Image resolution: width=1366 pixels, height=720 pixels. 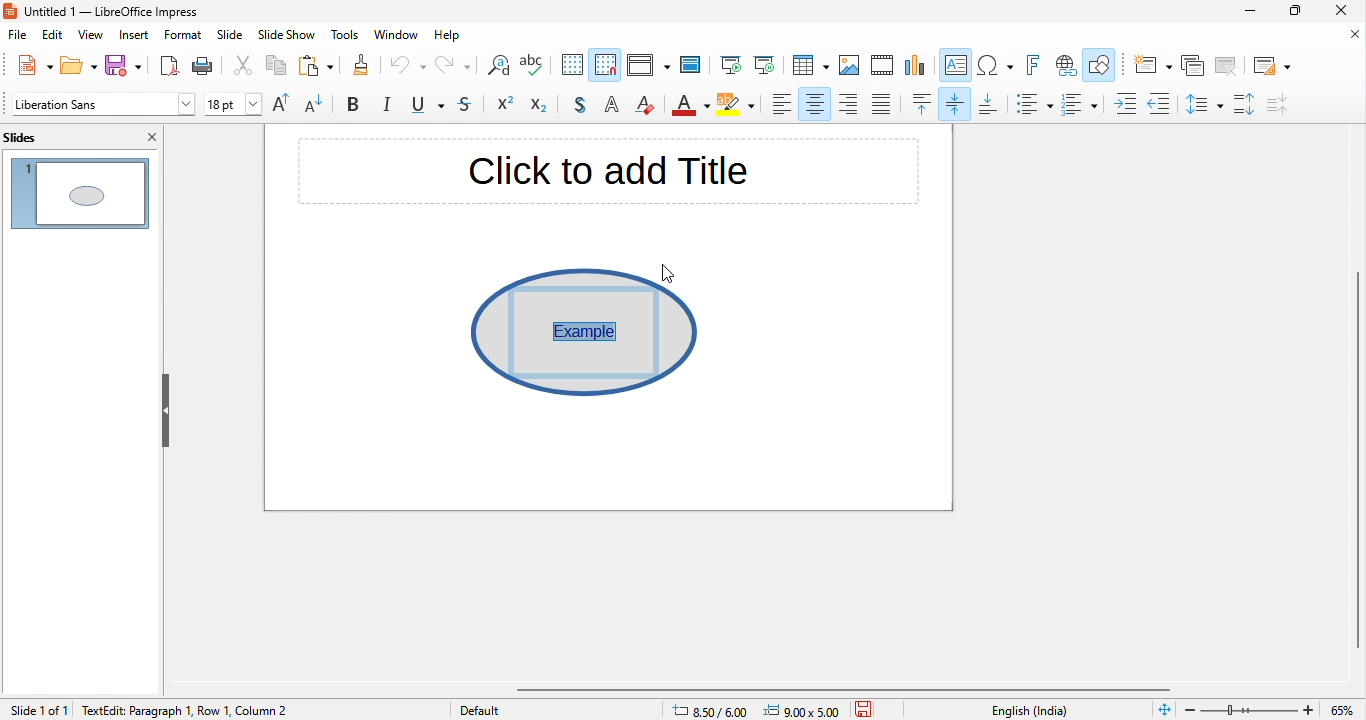 I want to click on edit, so click(x=54, y=36).